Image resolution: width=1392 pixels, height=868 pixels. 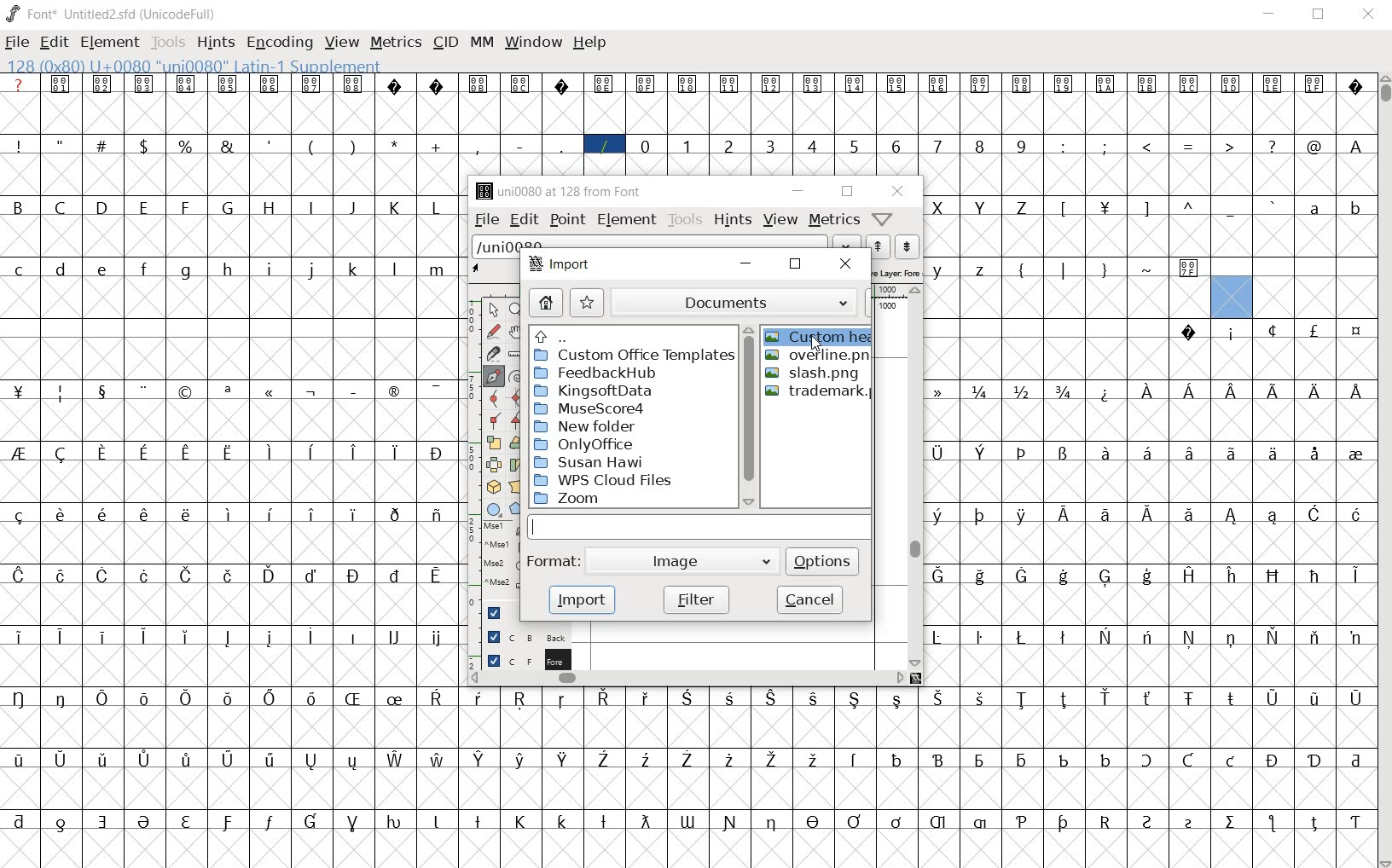 I want to click on glyph, so click(x=1106, y=394).